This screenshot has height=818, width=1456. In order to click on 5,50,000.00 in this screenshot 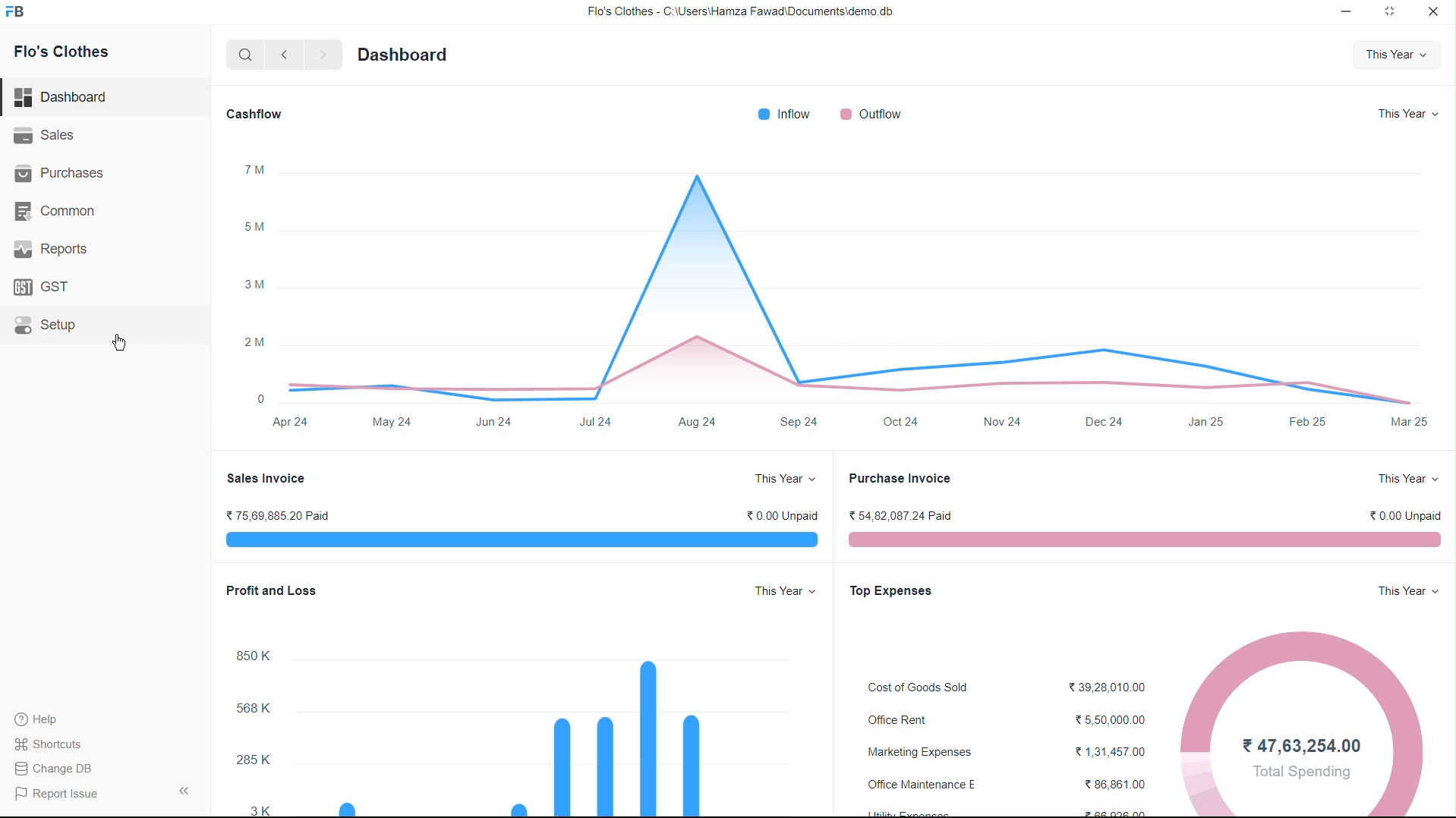, I will do `click(1102, 718)`.